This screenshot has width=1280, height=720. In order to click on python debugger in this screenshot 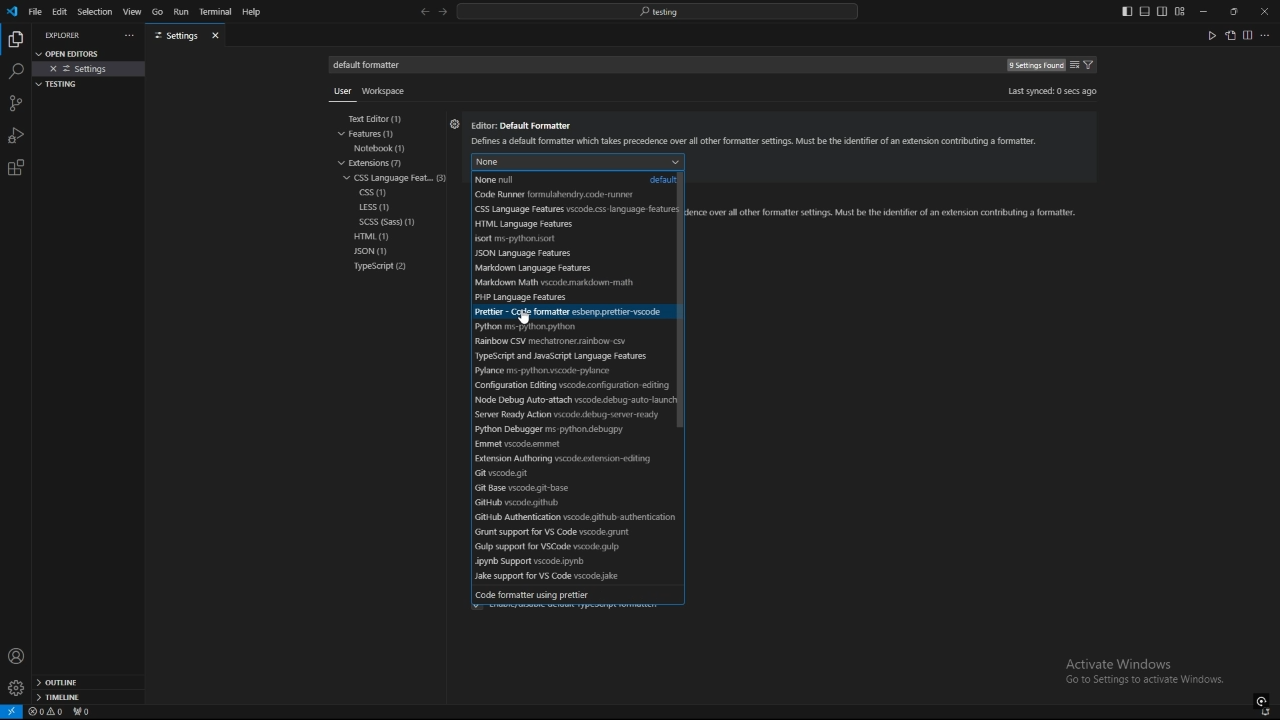, I will do `click(562, 429)`.